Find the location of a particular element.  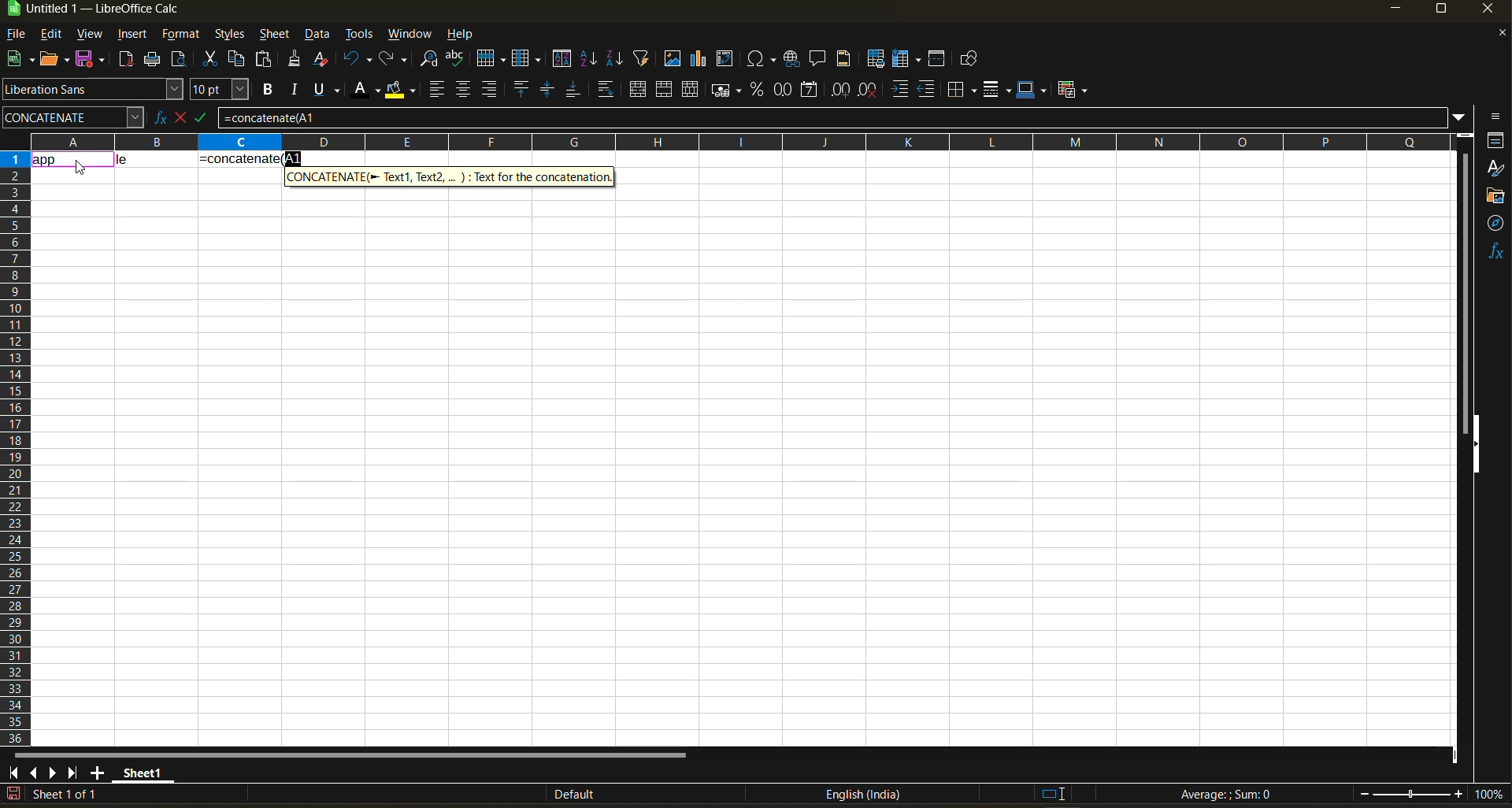

save is located at coordinates (93, 57).